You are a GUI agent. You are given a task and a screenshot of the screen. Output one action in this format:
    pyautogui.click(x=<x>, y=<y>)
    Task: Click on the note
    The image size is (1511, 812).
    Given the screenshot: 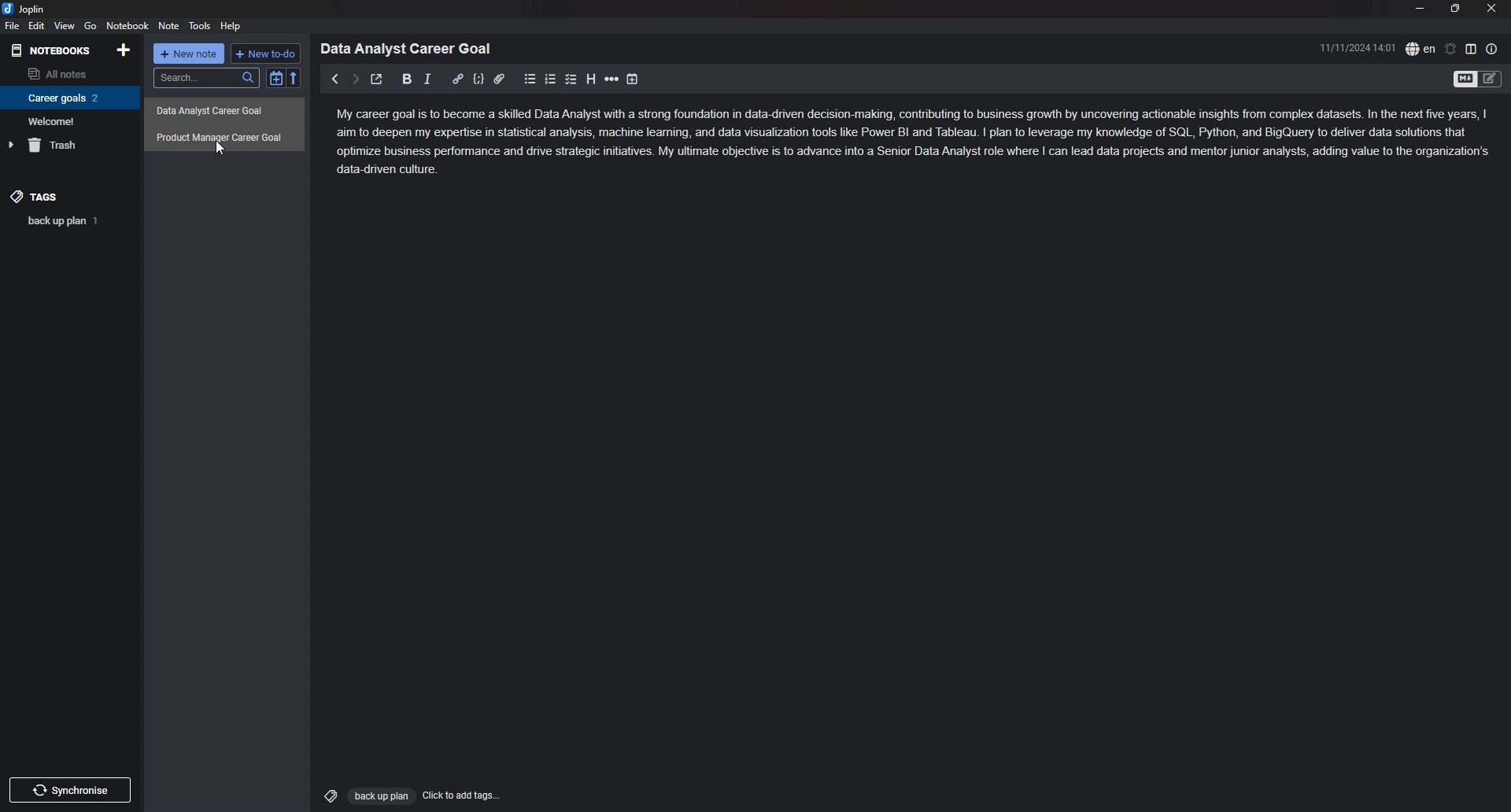 What is the action you would take?
    pyautogui.click(x=170, y=25)
    